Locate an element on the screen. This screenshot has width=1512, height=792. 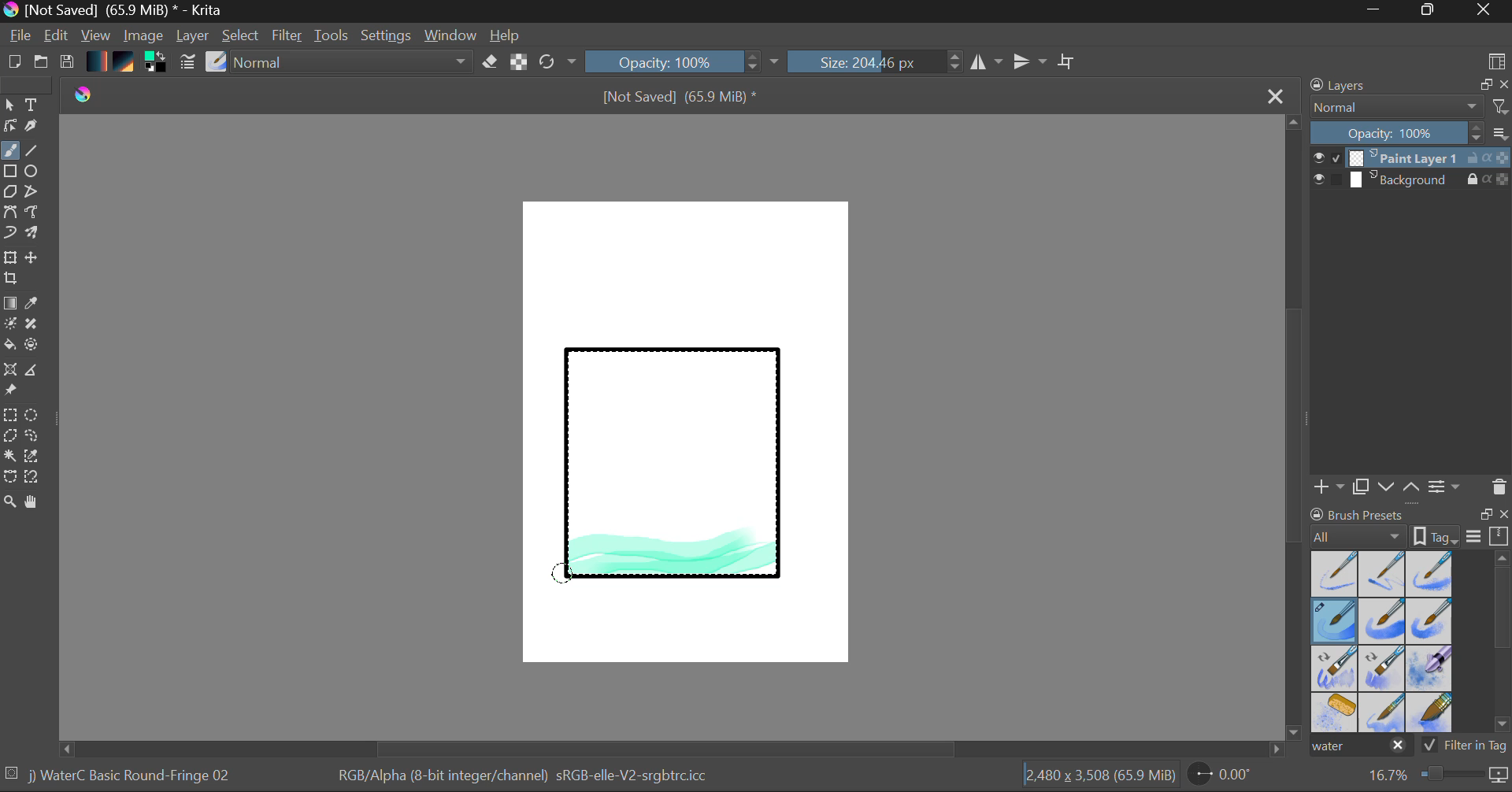
Scroll Bar is located at coordinates (1295, 429).